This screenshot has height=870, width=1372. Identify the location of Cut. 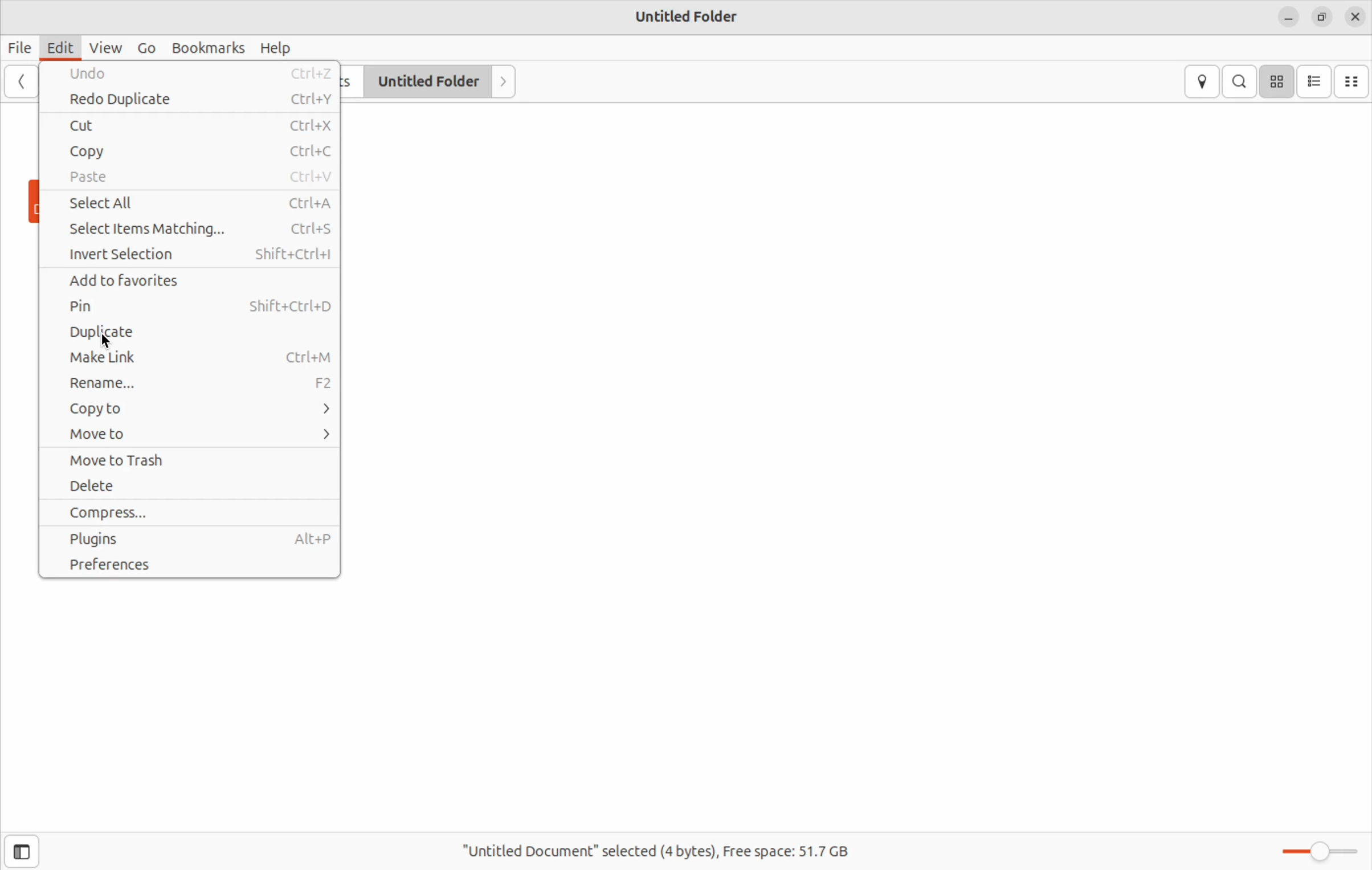
(190, 124).